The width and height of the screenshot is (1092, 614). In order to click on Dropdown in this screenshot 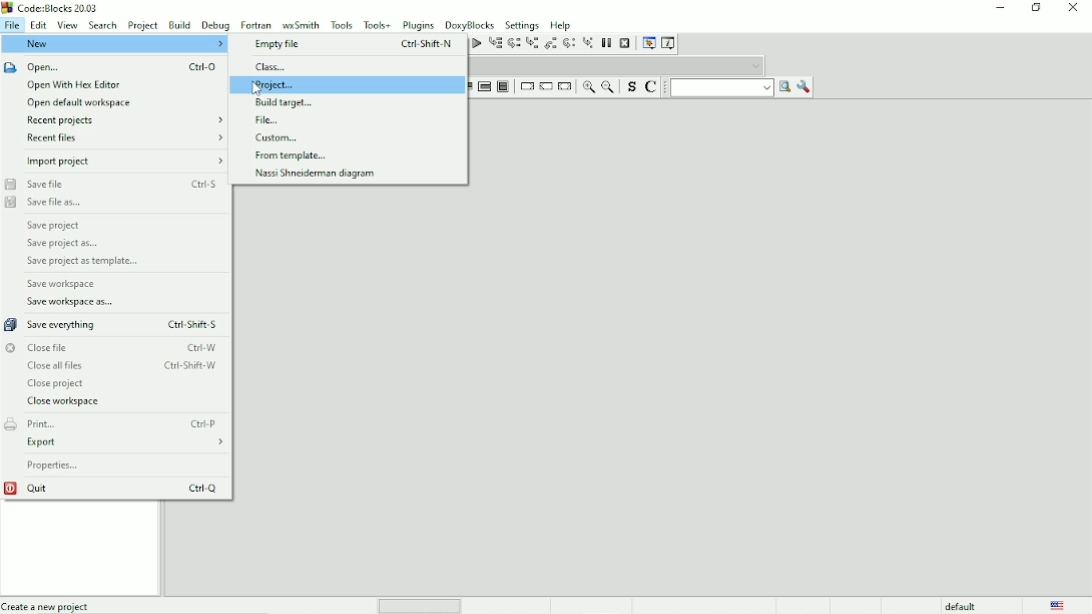, I will do `click(618, 65)`.